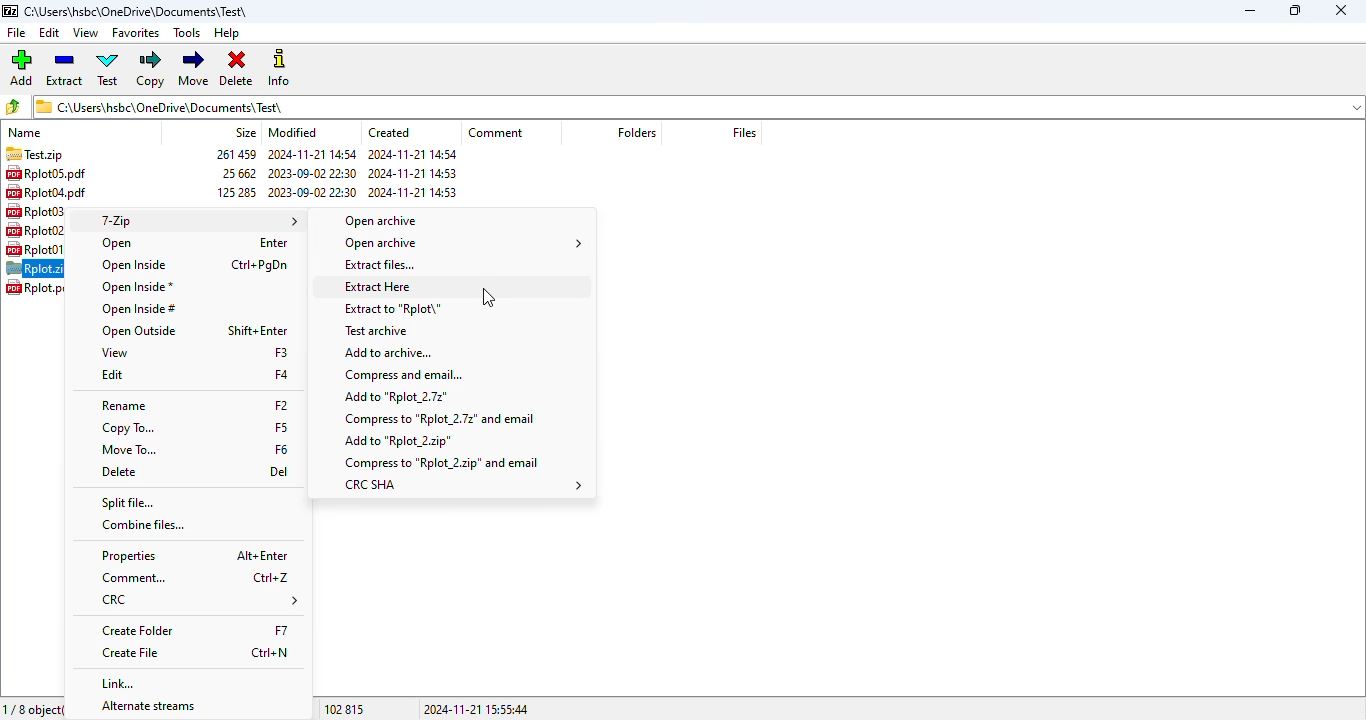 This screenshot has width=1366, height=720. Describe the element at coordinates (280, 353) in the screenshot. I see `shortcut for view` at that location.